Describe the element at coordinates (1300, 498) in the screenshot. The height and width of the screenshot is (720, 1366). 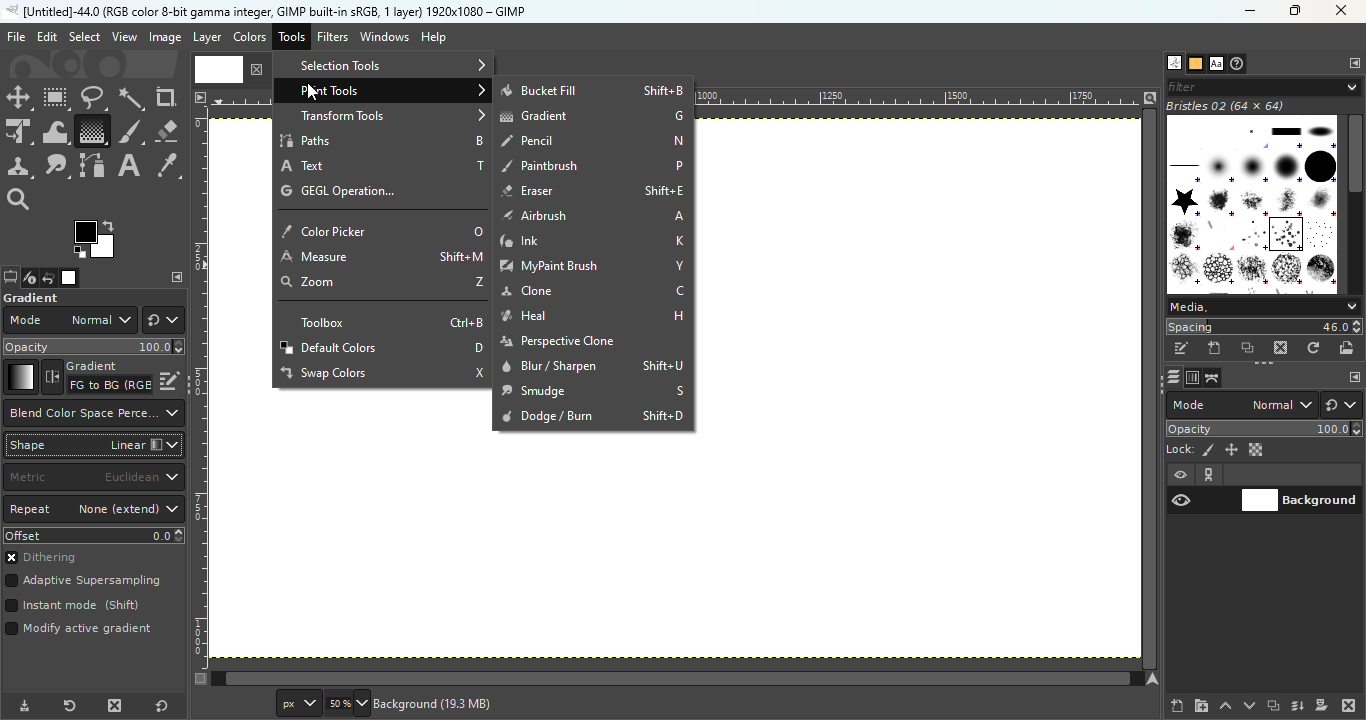
I see `Background` at that location.